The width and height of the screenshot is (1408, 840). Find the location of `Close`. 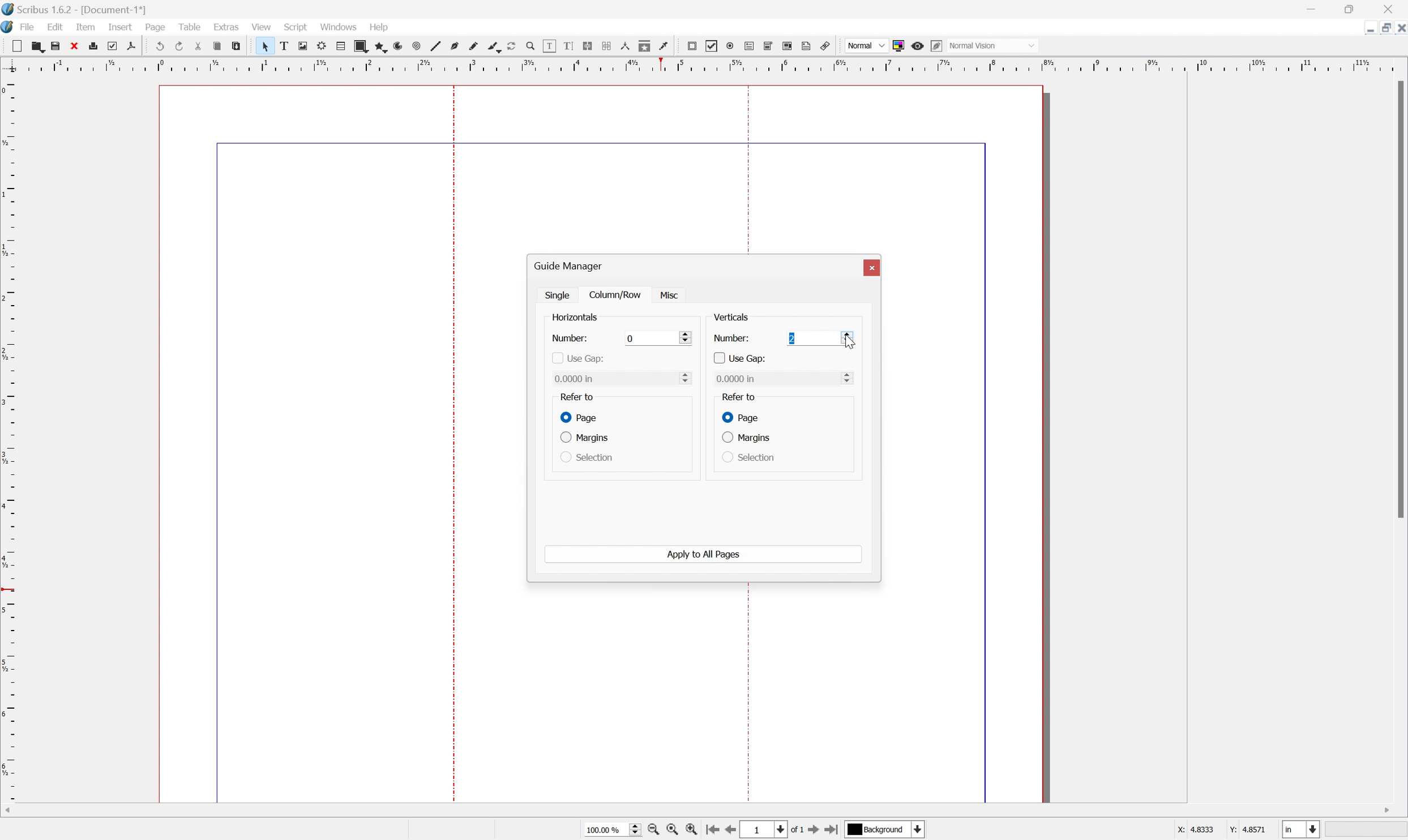

Close is located at coordinates (872, 268).